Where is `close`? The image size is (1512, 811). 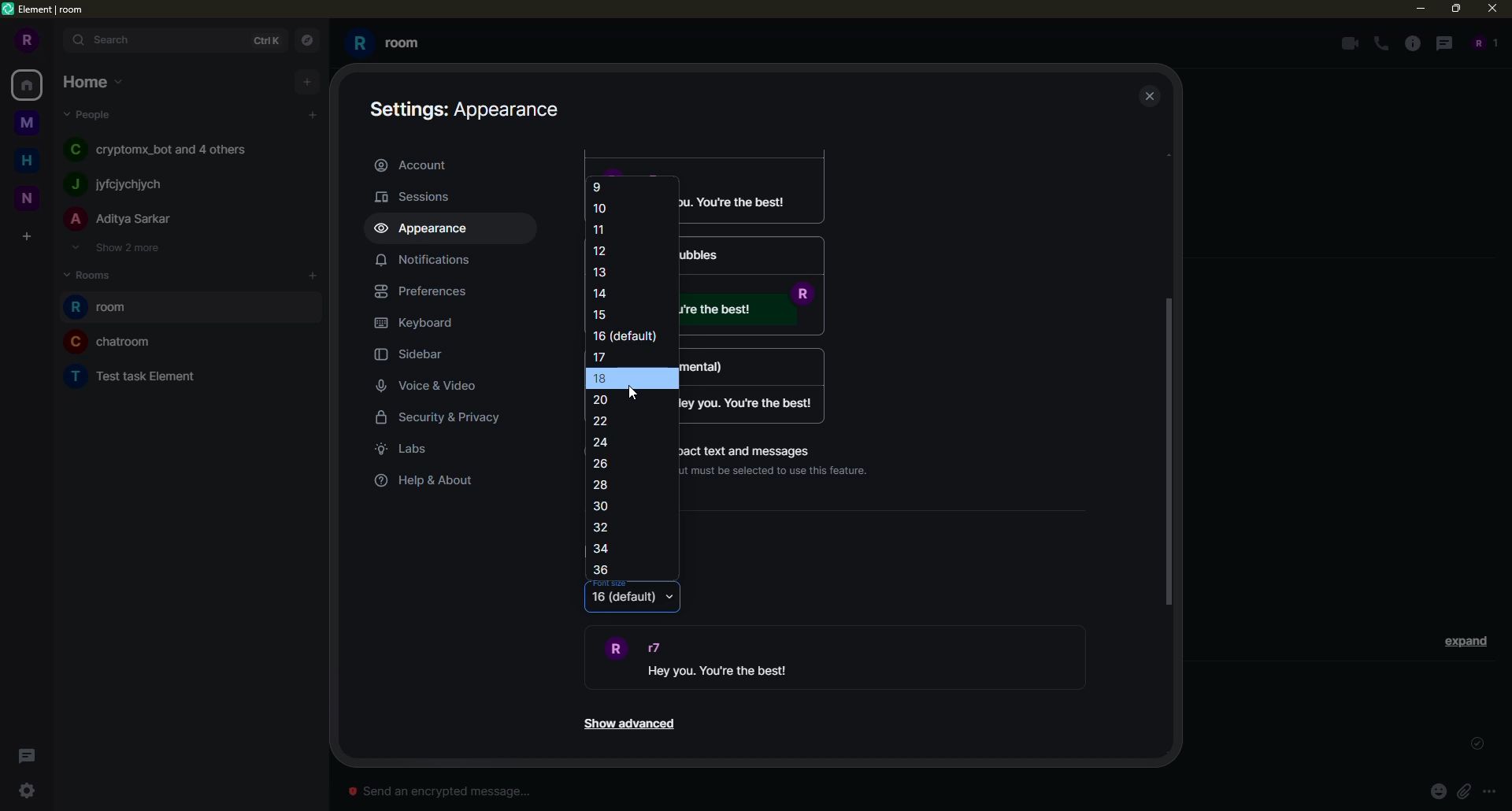
close is located at coordinates (1495, 8).